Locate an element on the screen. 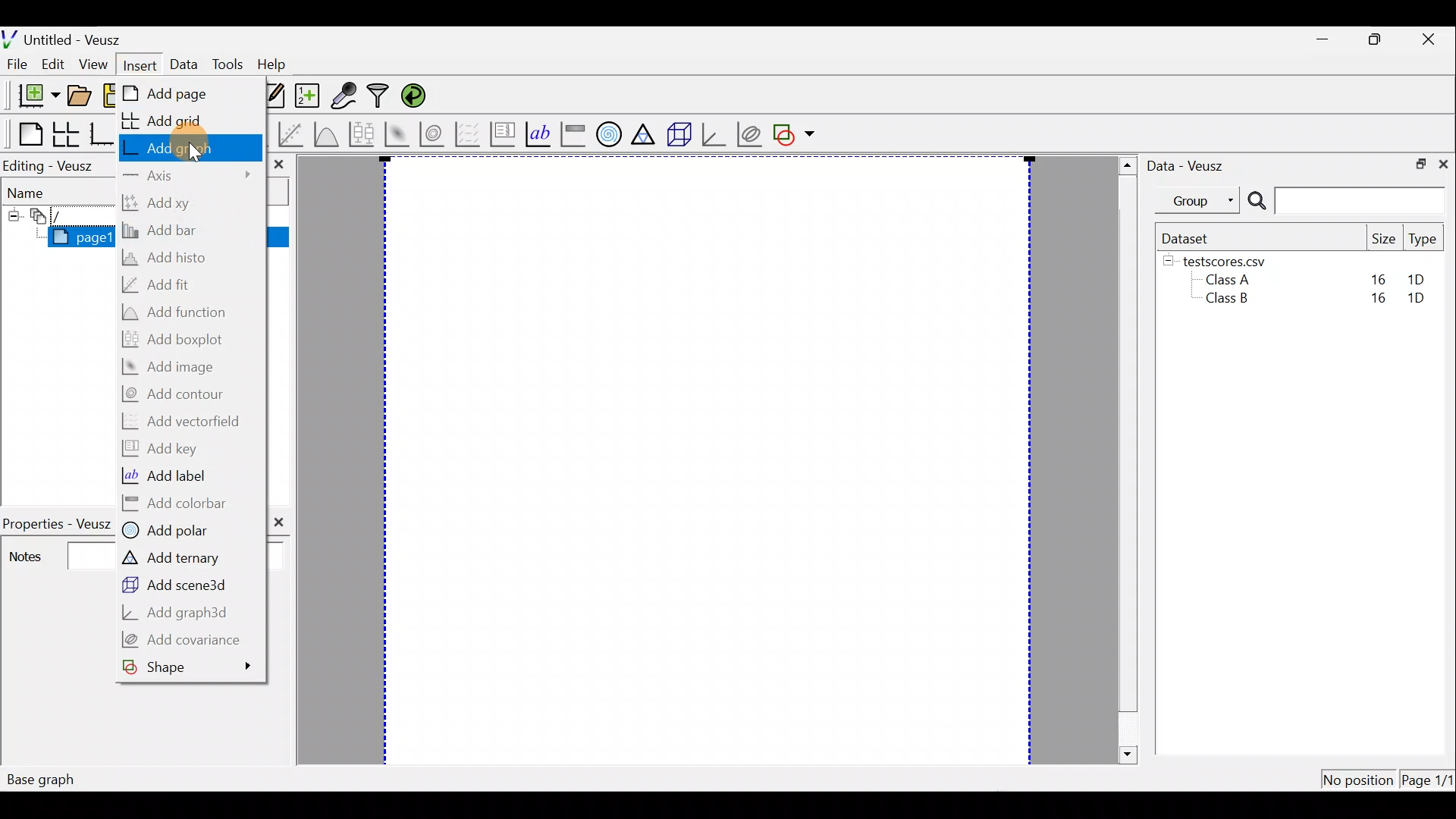 Image resolution: width=1456 pixels, height=819 pixels. Data is located at coordinates (182, 62).